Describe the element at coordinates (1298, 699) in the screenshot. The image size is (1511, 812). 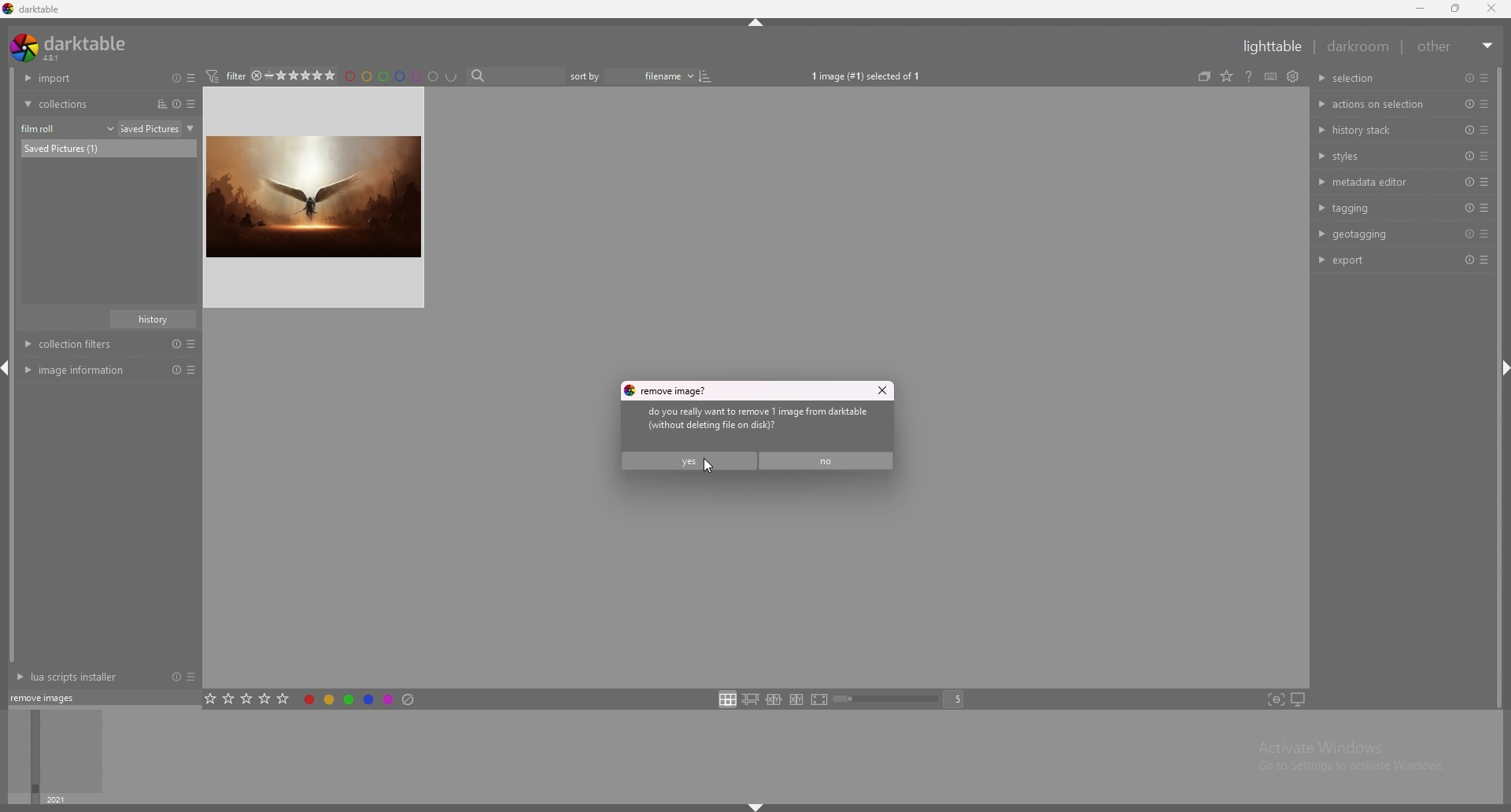
I see `set display profile` at that location.